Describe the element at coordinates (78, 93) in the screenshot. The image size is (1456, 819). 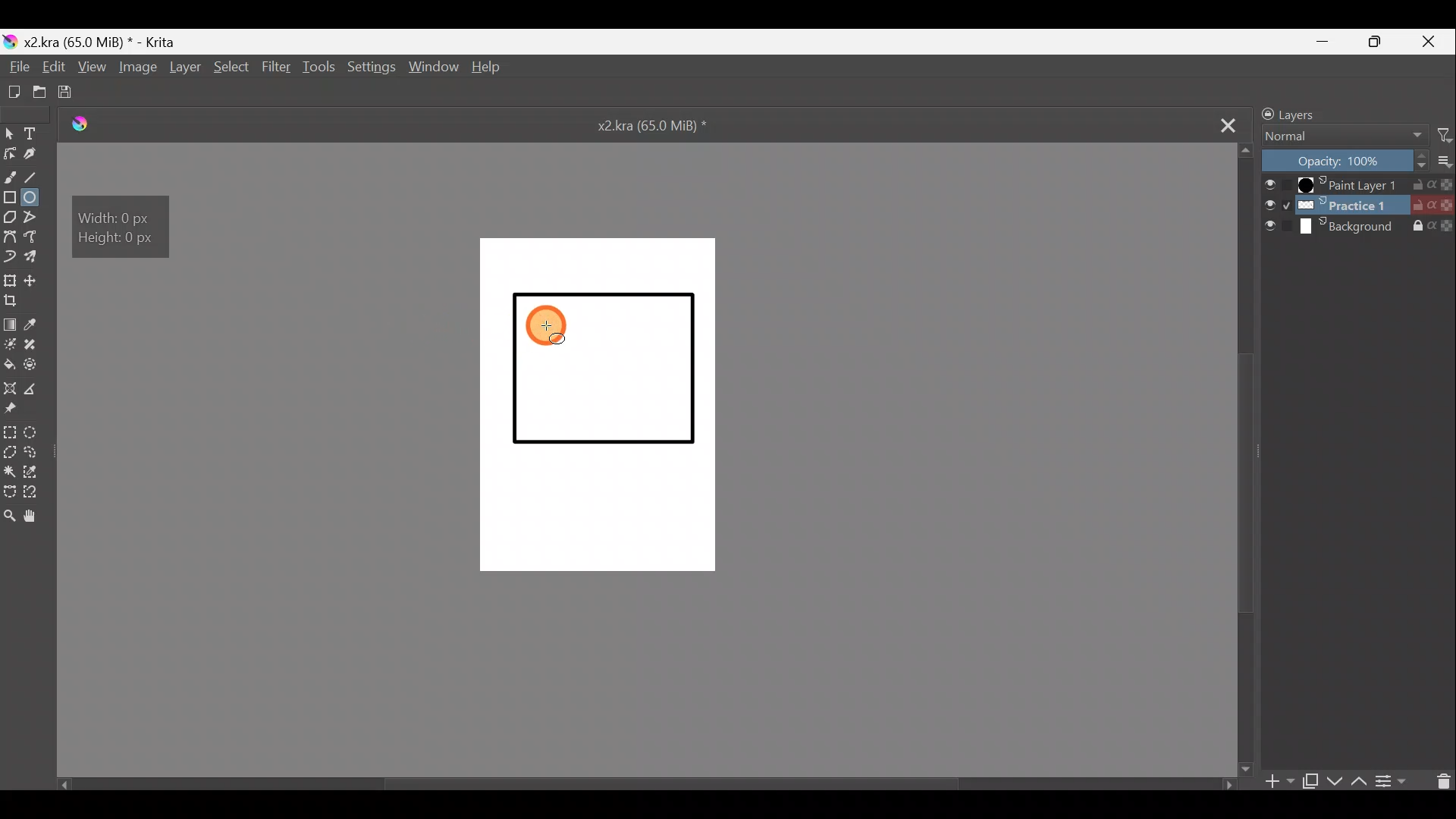
I see `Save` at that location.